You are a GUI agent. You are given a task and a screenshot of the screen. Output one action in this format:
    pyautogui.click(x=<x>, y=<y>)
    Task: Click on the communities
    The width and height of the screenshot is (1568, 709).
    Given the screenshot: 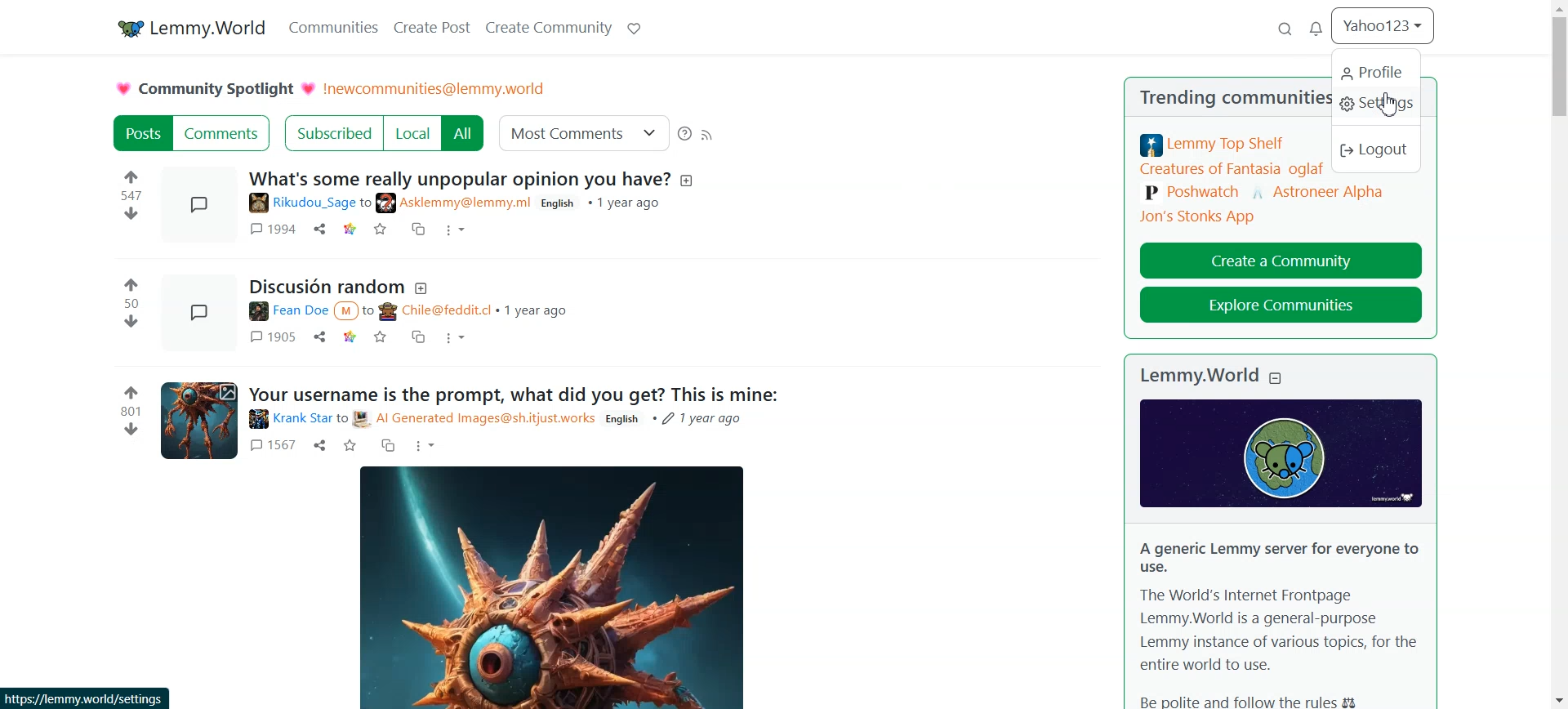 What is the action you would take?
    pyautogui.click(x=1278, y=100)
    